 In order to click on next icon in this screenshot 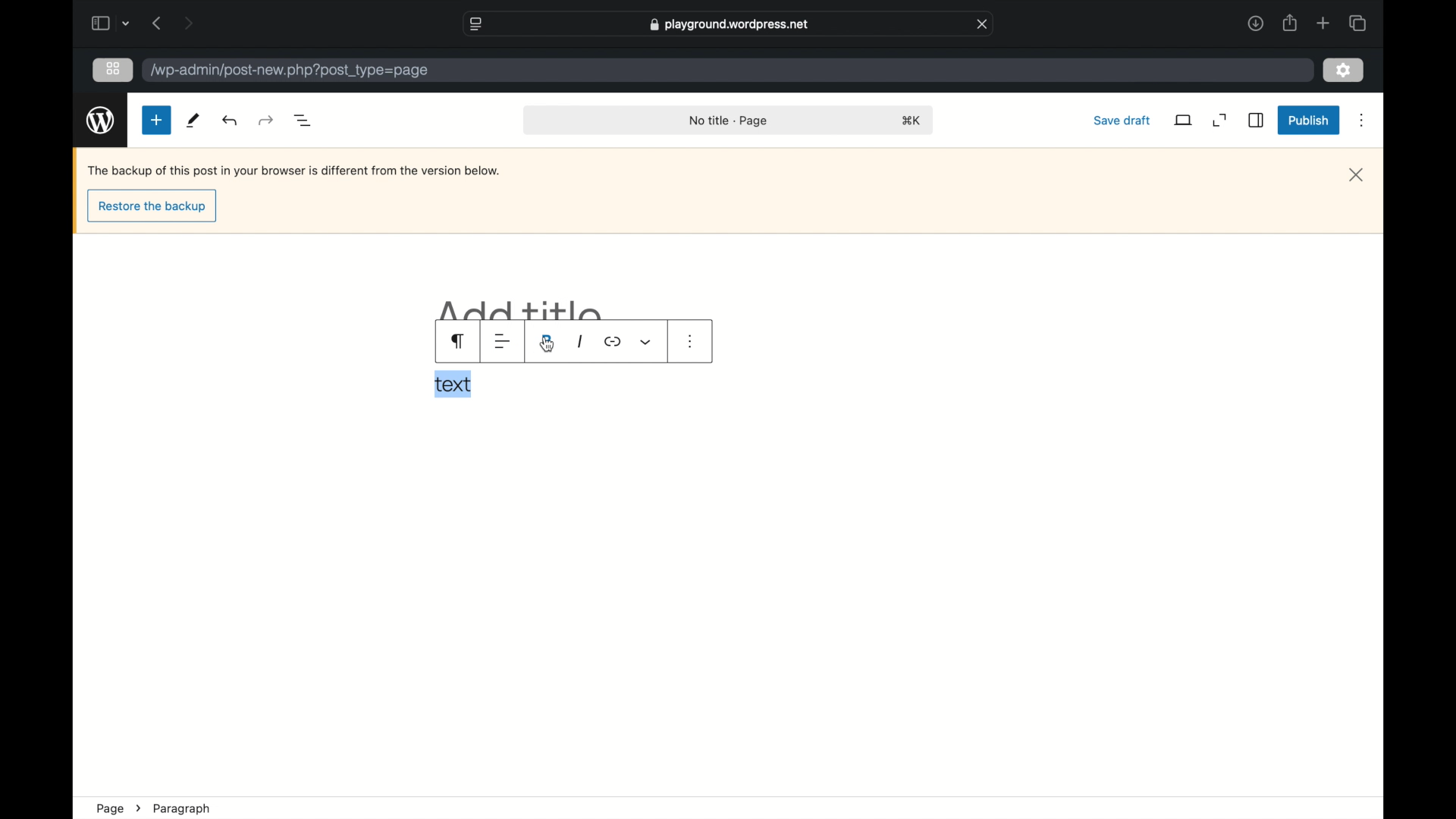, I will do `click(138, 808)`.